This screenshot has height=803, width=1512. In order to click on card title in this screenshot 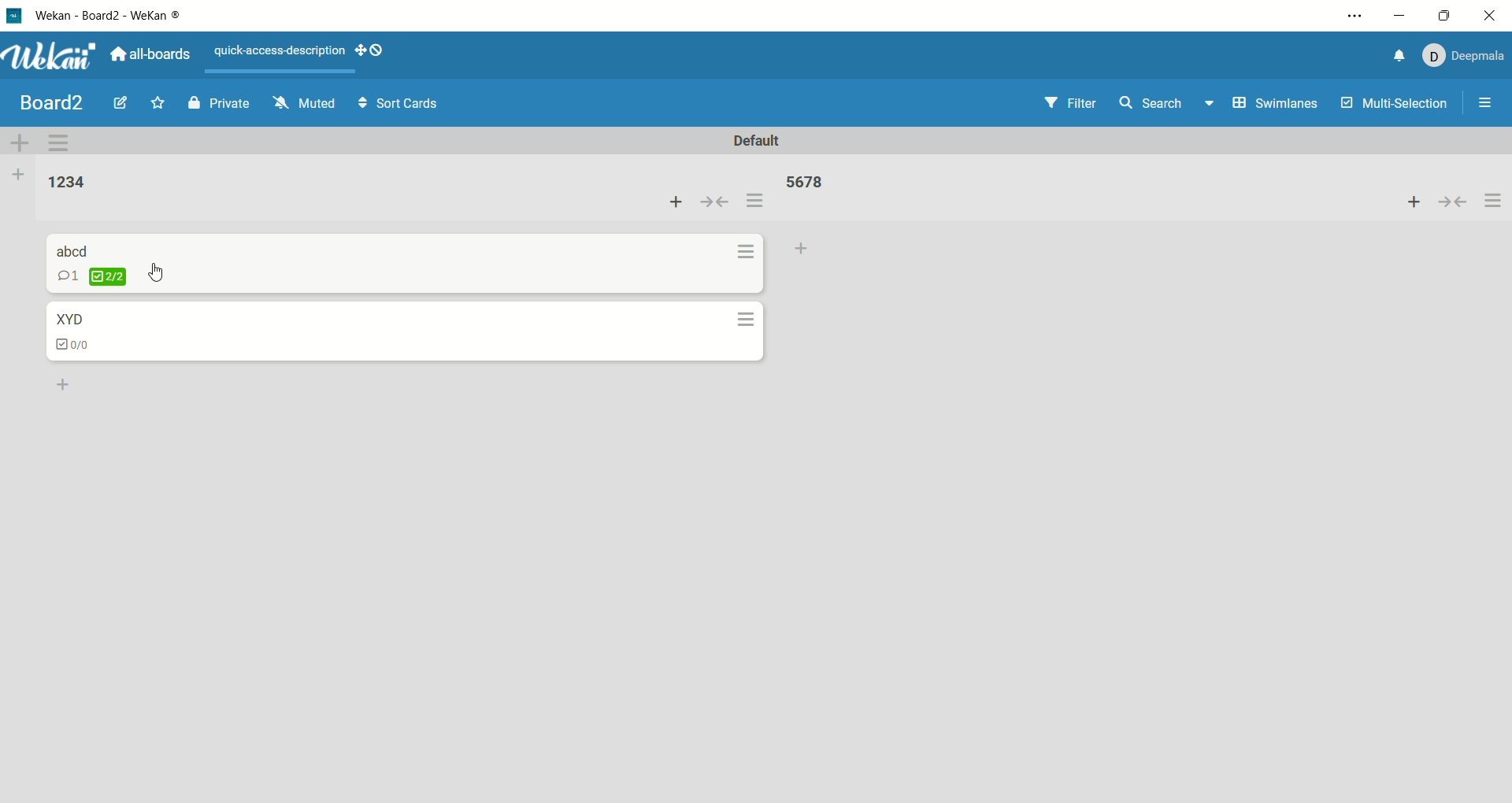, I will do `click(69, 318)`.